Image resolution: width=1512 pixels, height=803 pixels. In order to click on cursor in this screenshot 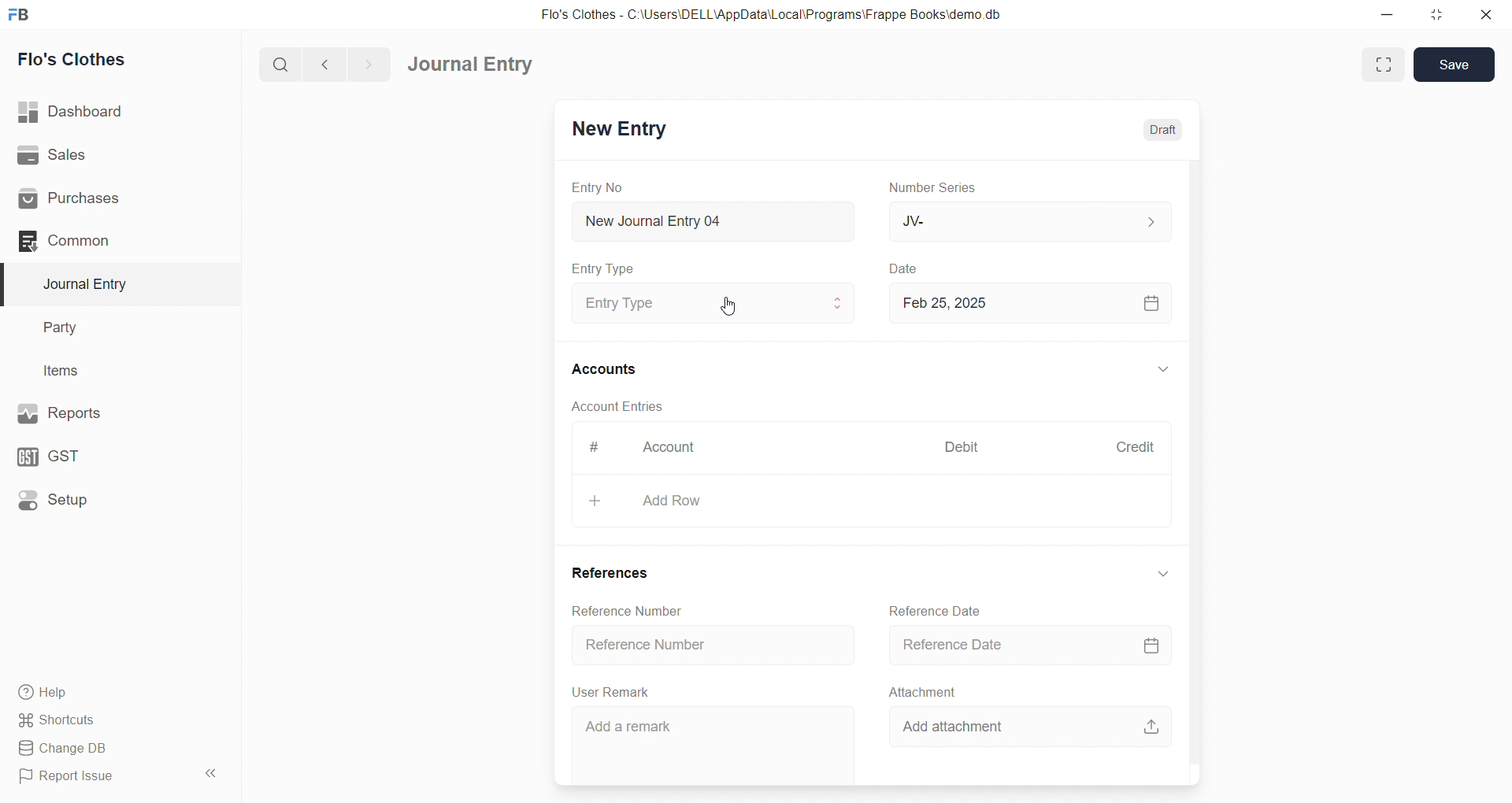, I will do `click(729, 306)`.